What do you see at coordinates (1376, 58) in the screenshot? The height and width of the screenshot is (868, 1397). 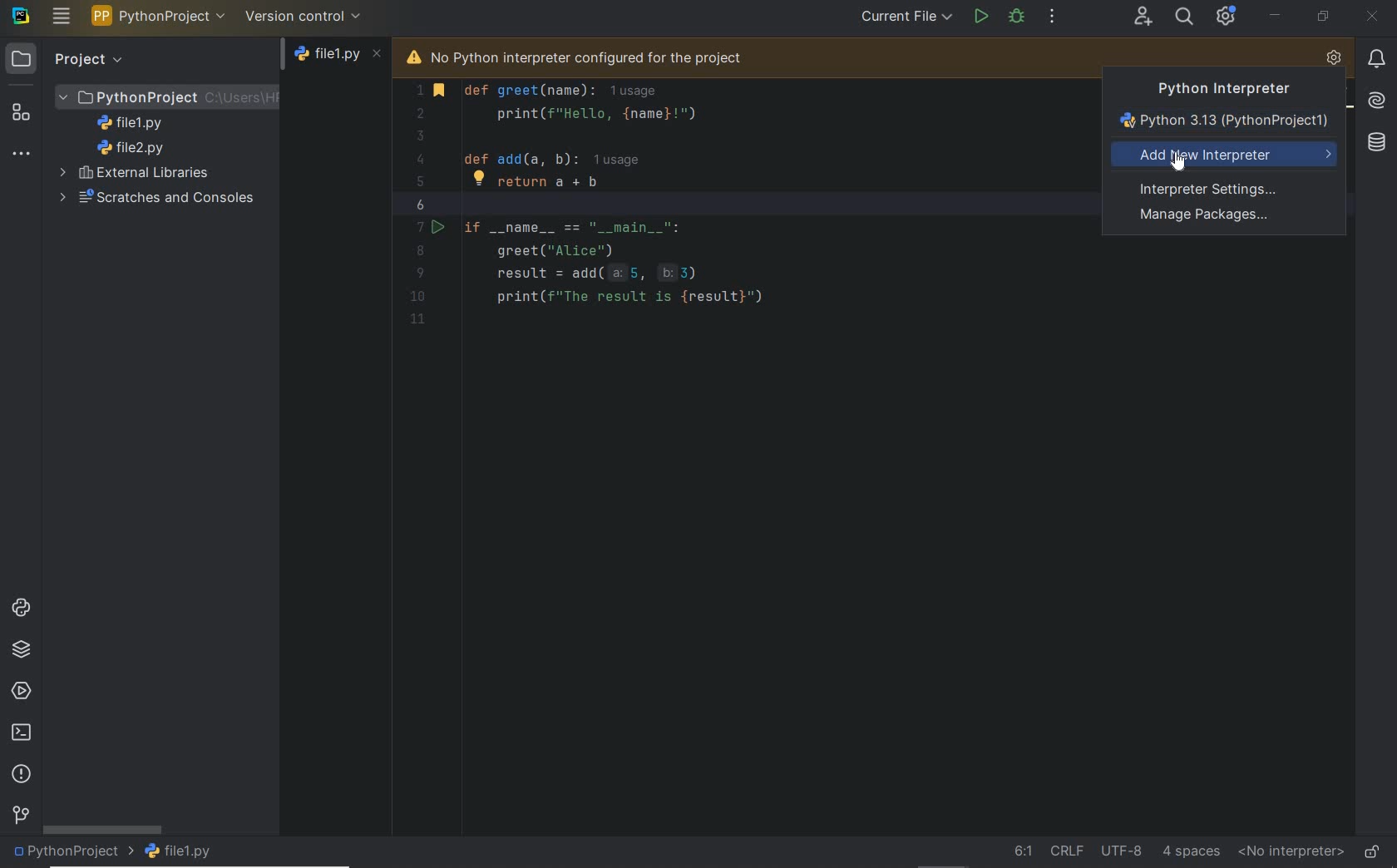 I see `notifications` at bounding box center [1376, 58].